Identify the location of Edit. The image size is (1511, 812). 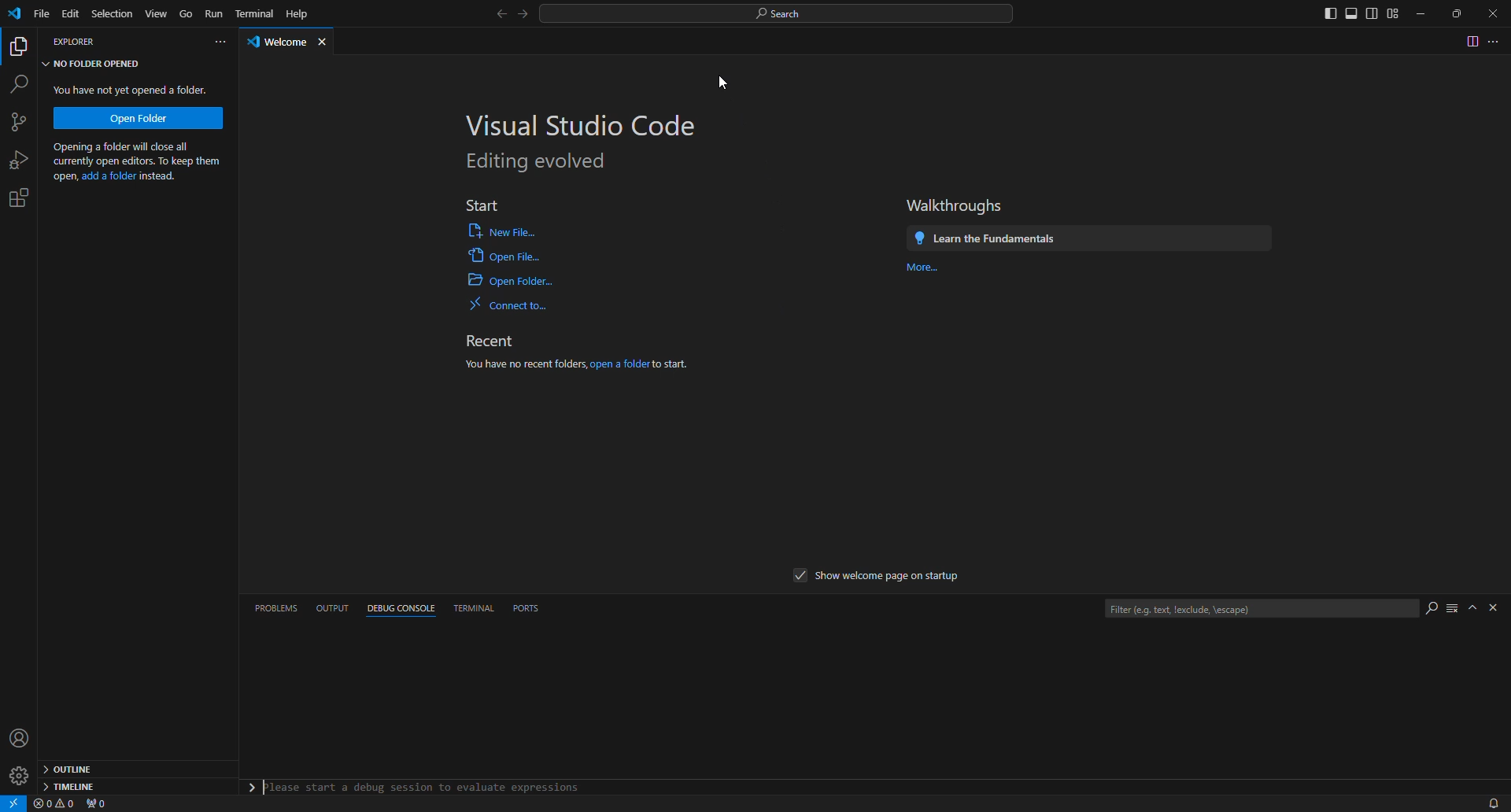
(72, 14).